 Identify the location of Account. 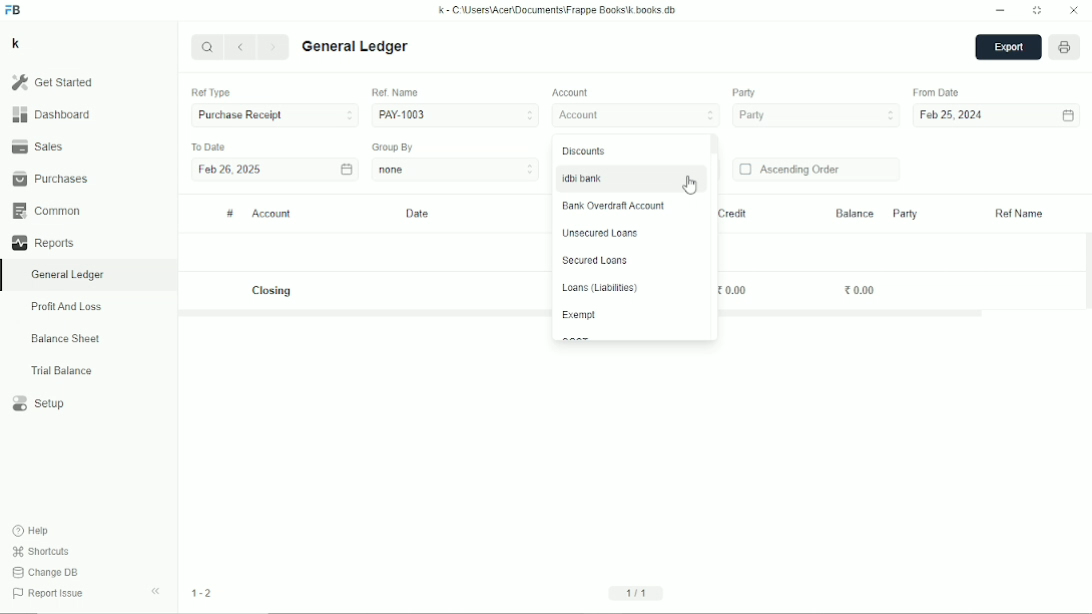
(637, 116).